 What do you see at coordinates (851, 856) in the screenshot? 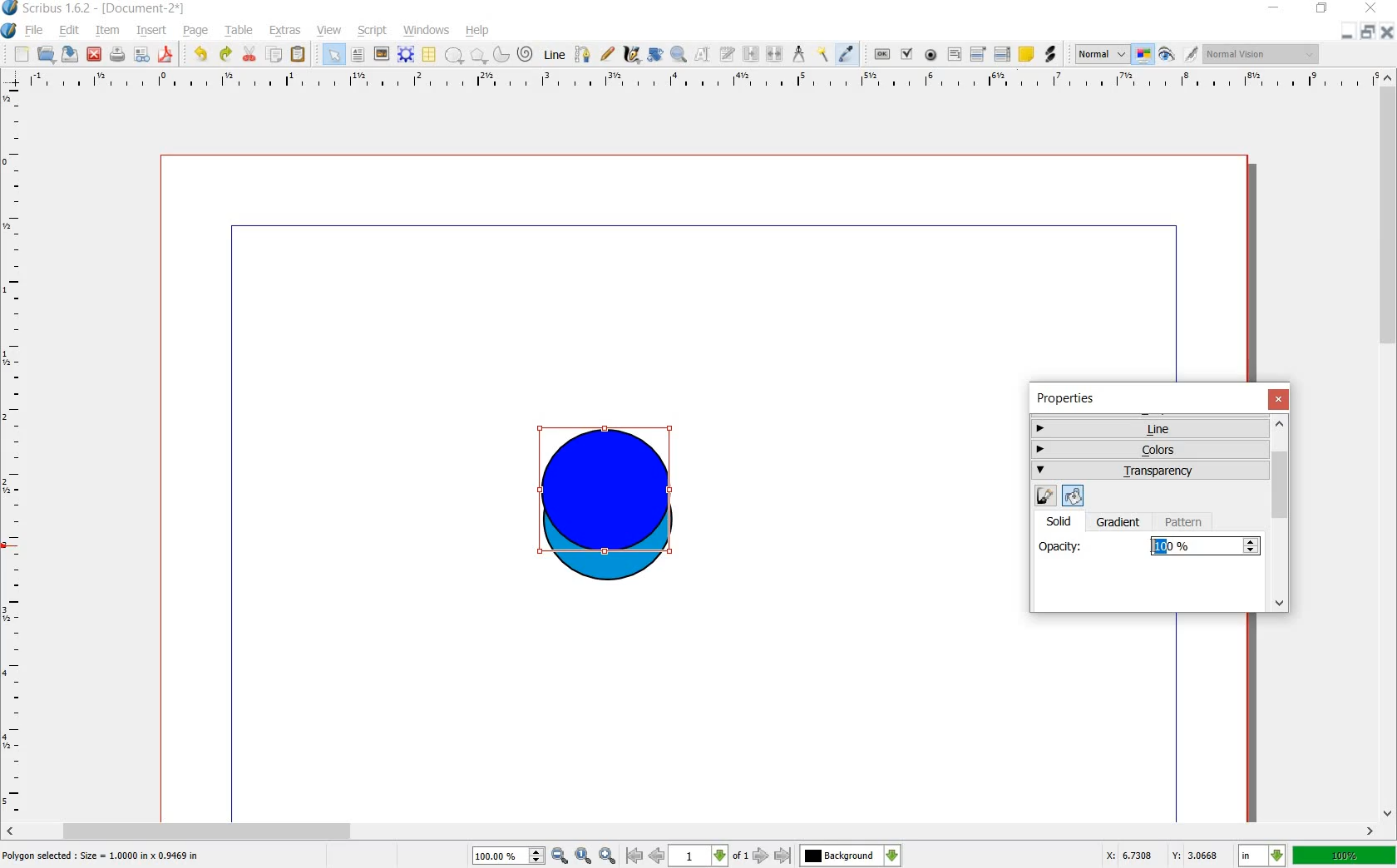
I see `Background` at bounding box center [851, 856].